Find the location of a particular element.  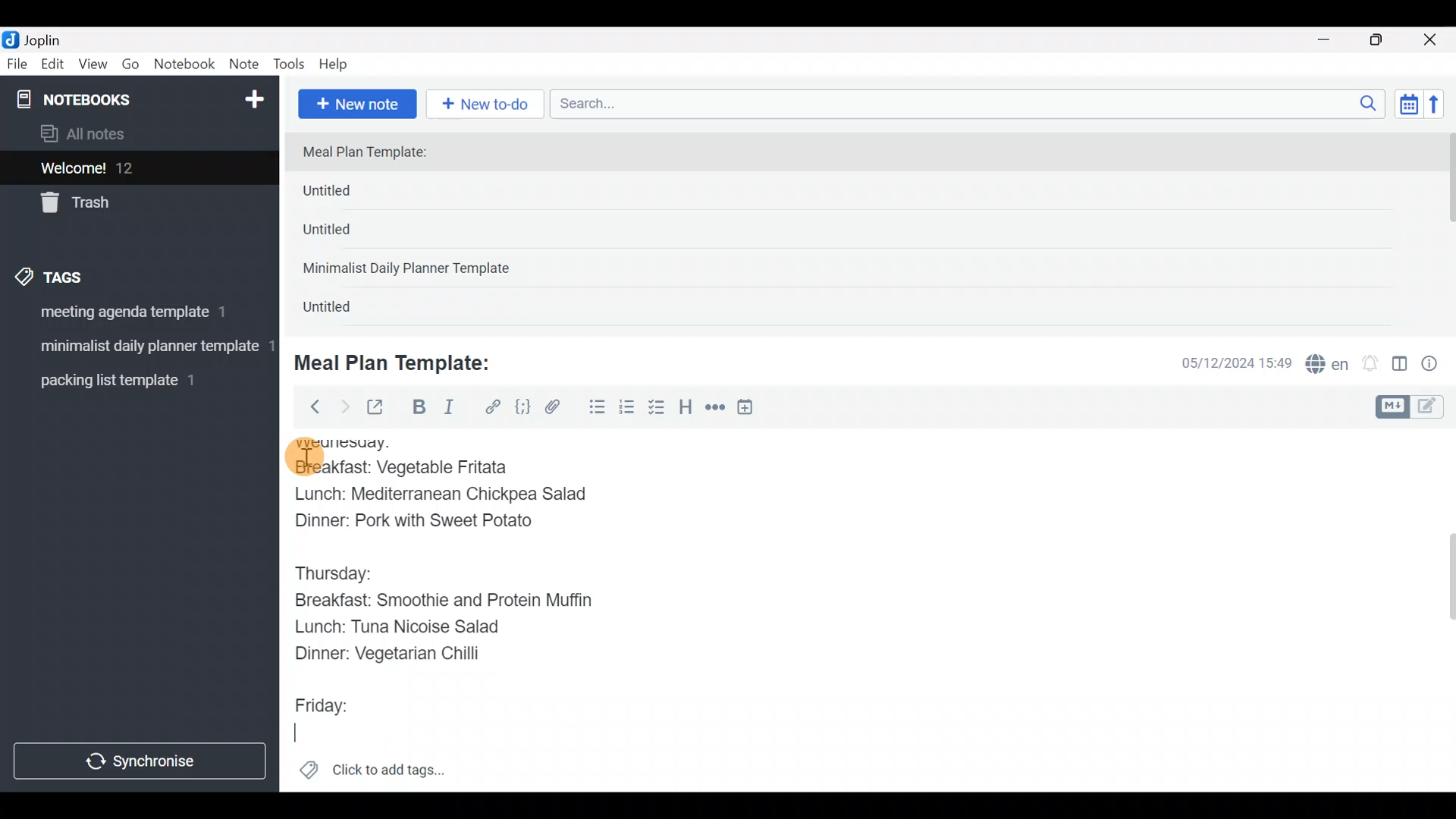

Horizontal rule is located at coordinates (715, 409).